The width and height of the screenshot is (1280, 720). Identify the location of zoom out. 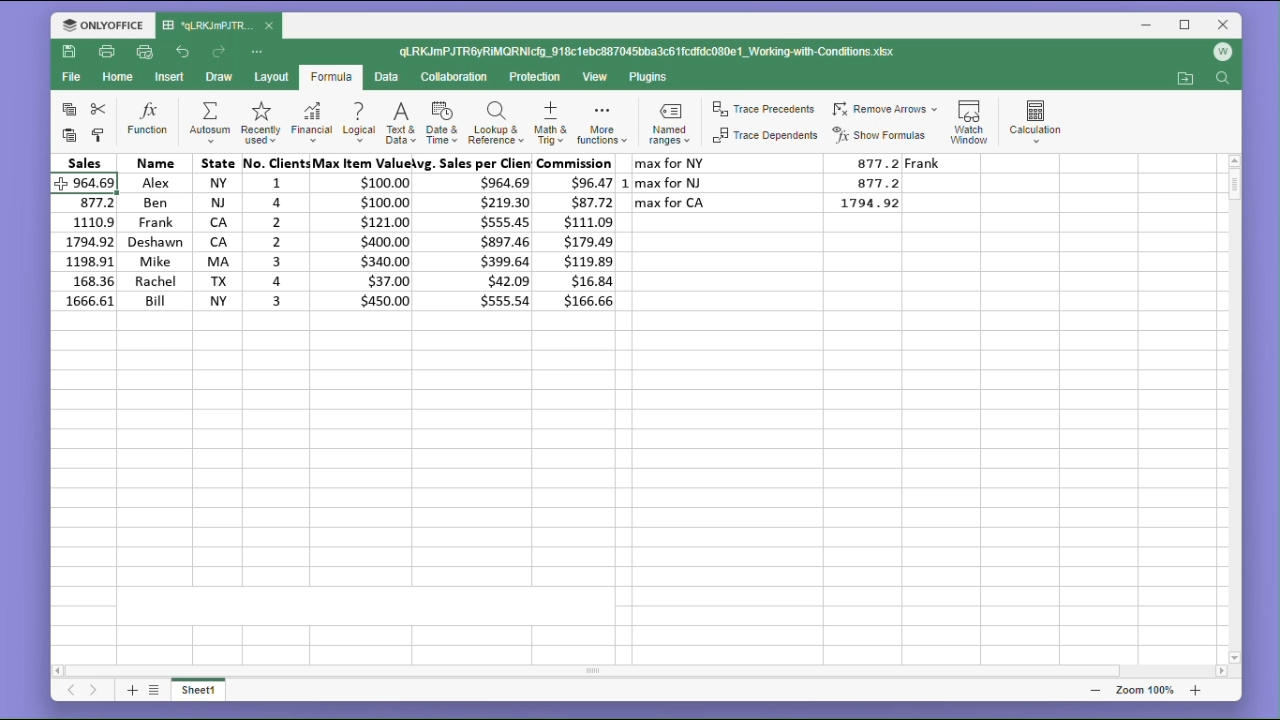
(1095, 690).